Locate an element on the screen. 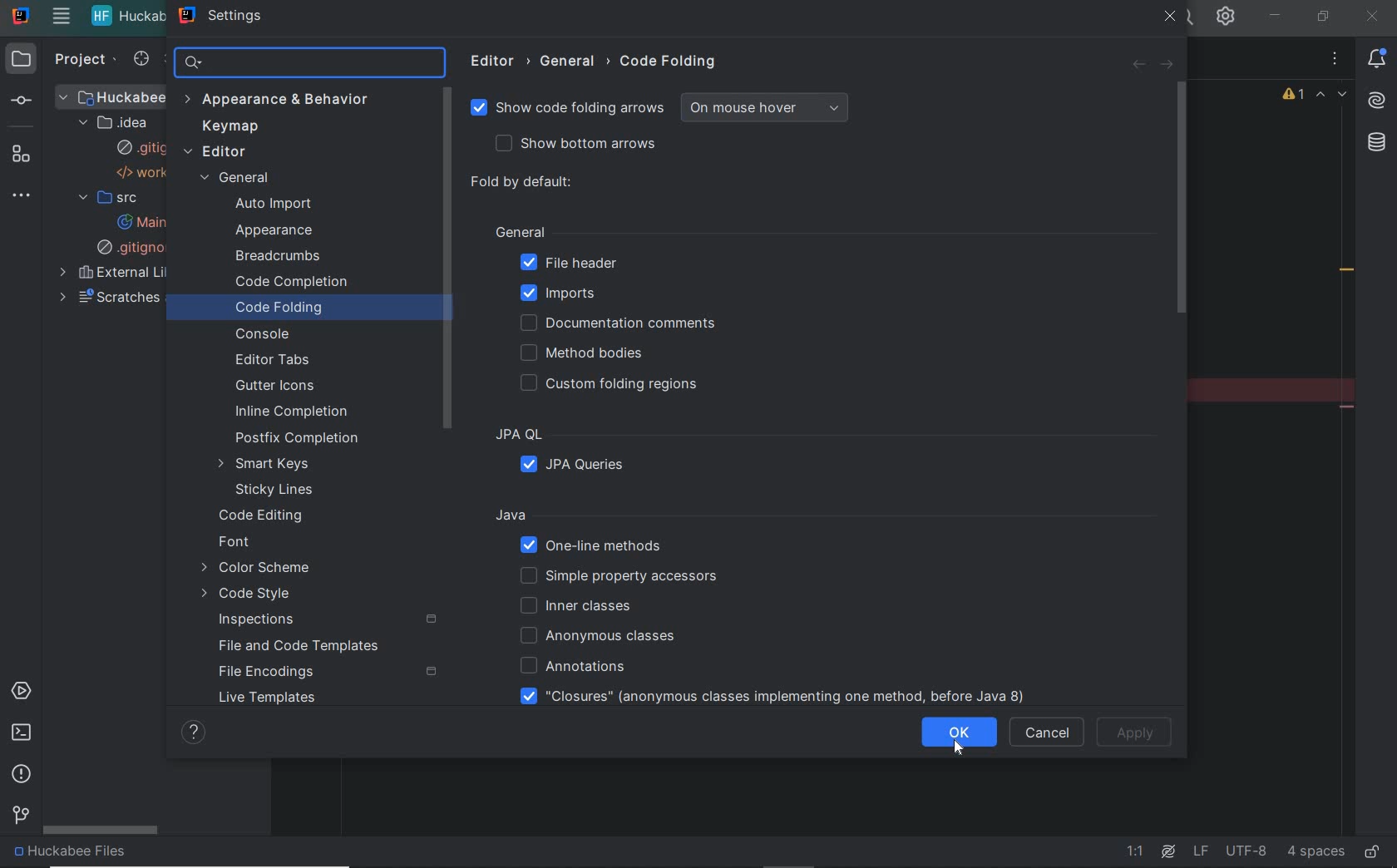  system name is located at coordinates (20, 16).